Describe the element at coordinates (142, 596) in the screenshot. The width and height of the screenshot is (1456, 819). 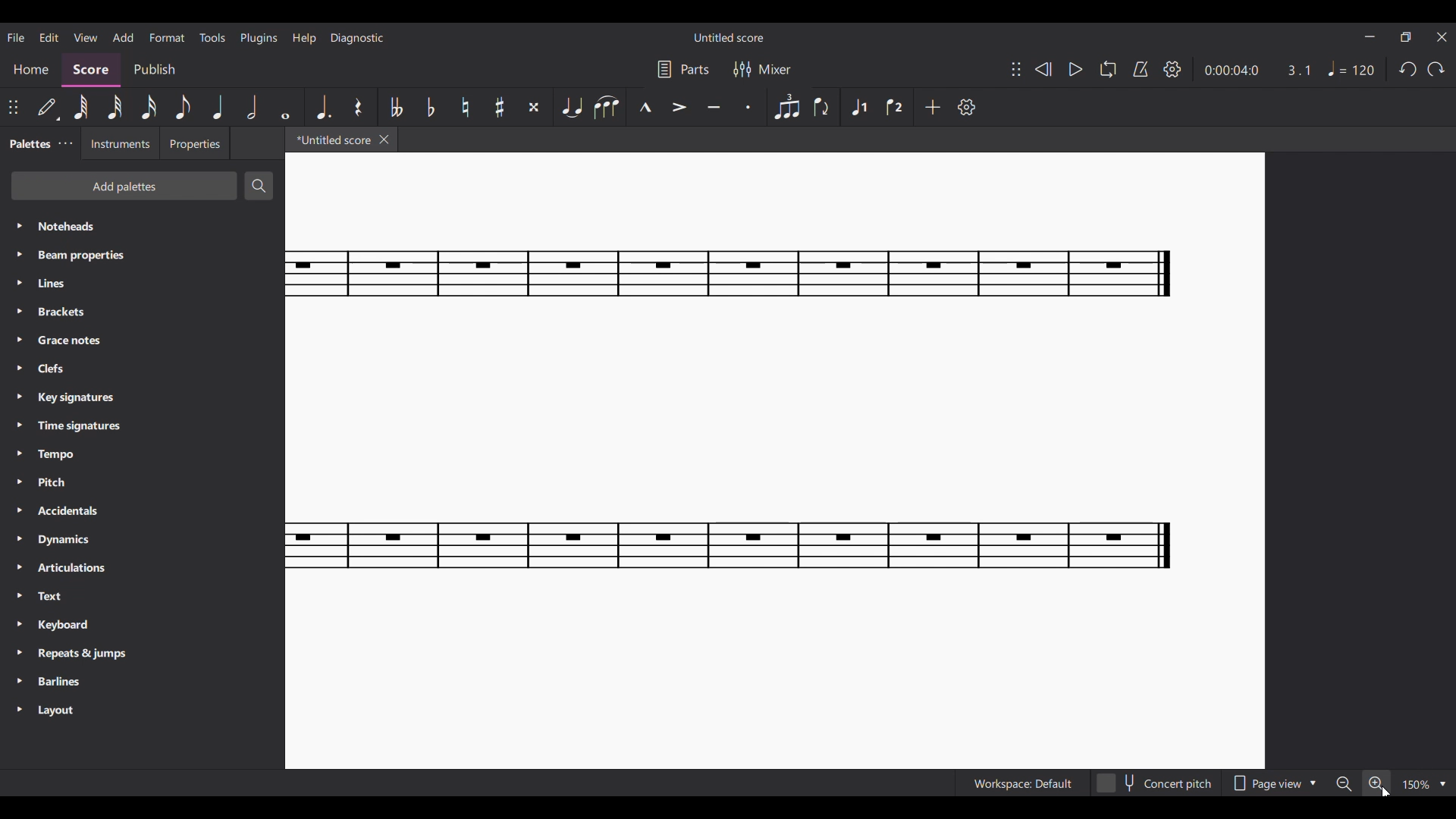
I see `Text` at that location.